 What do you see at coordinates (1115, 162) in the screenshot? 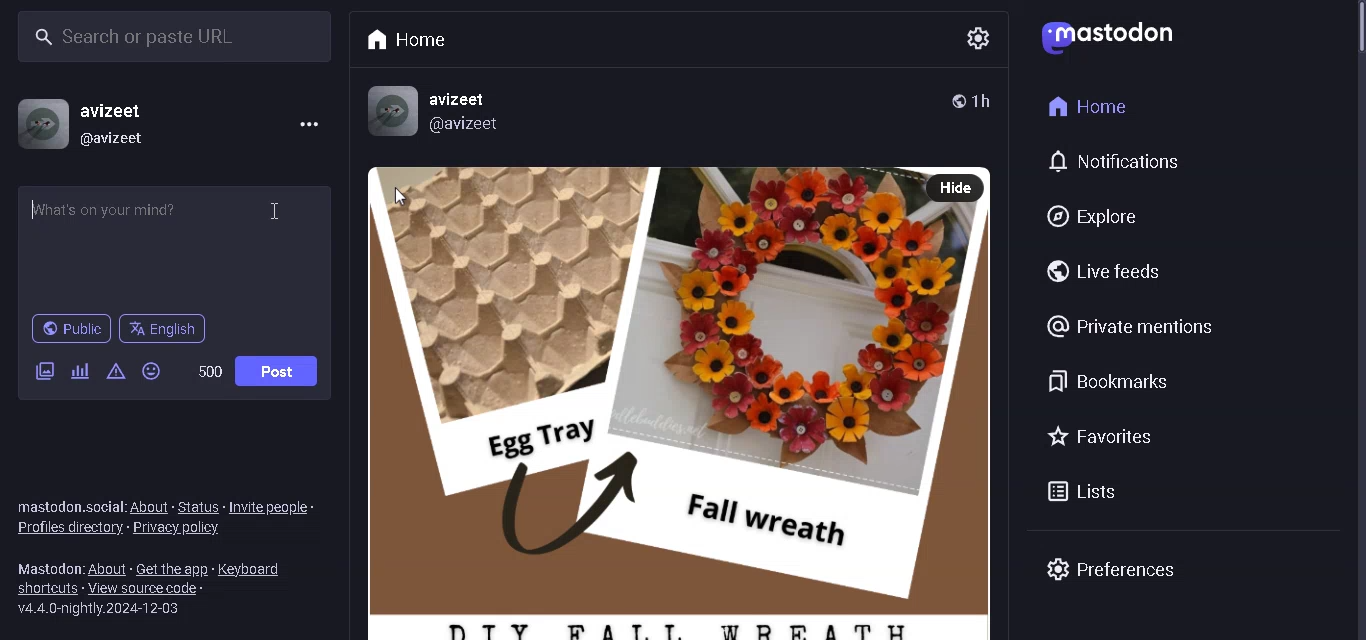
I see `NOTIFICATIONS` at bounding box center [1115, 162].